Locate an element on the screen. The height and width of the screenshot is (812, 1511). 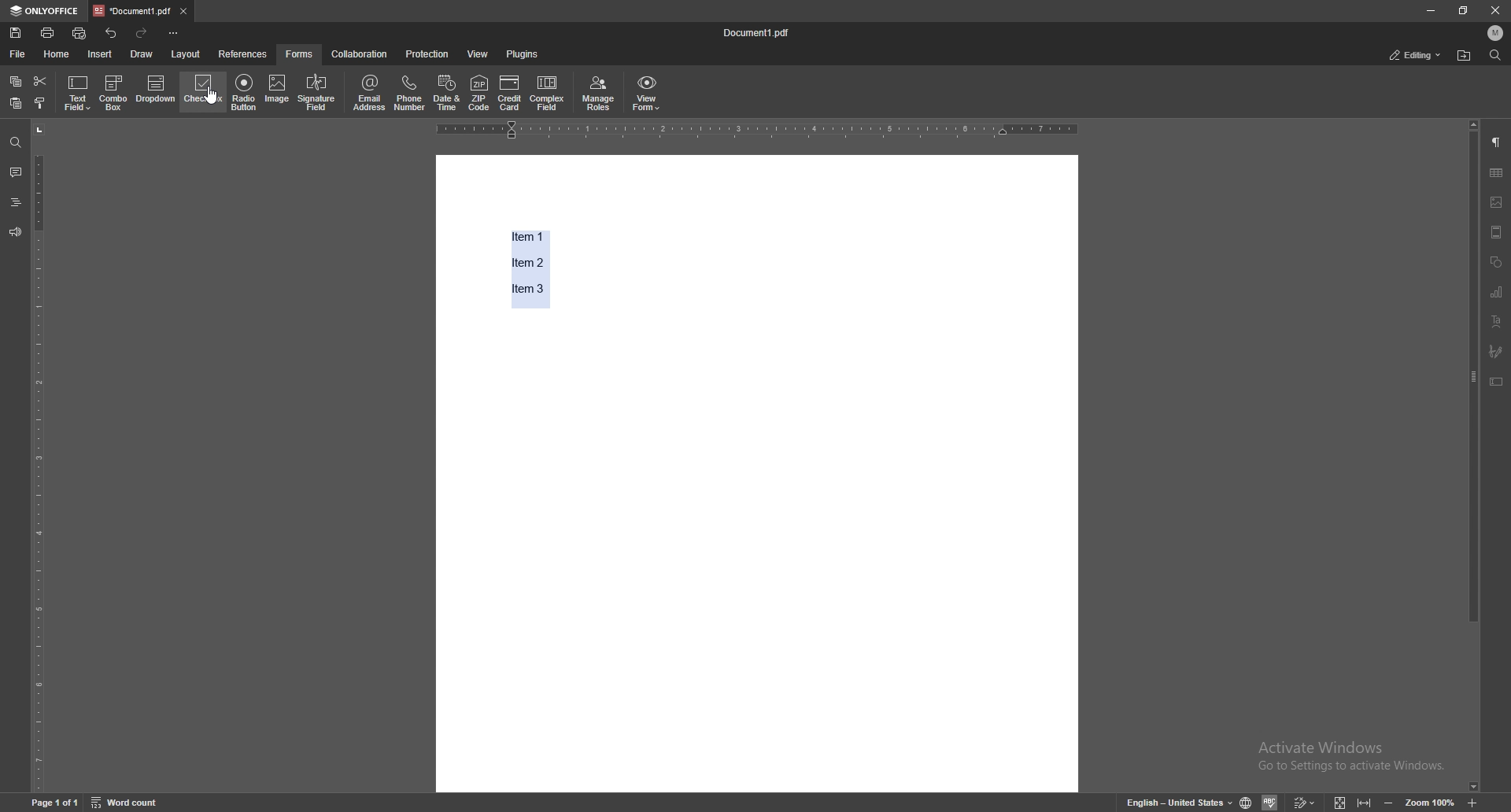
references is located at coordinates (243, 54).